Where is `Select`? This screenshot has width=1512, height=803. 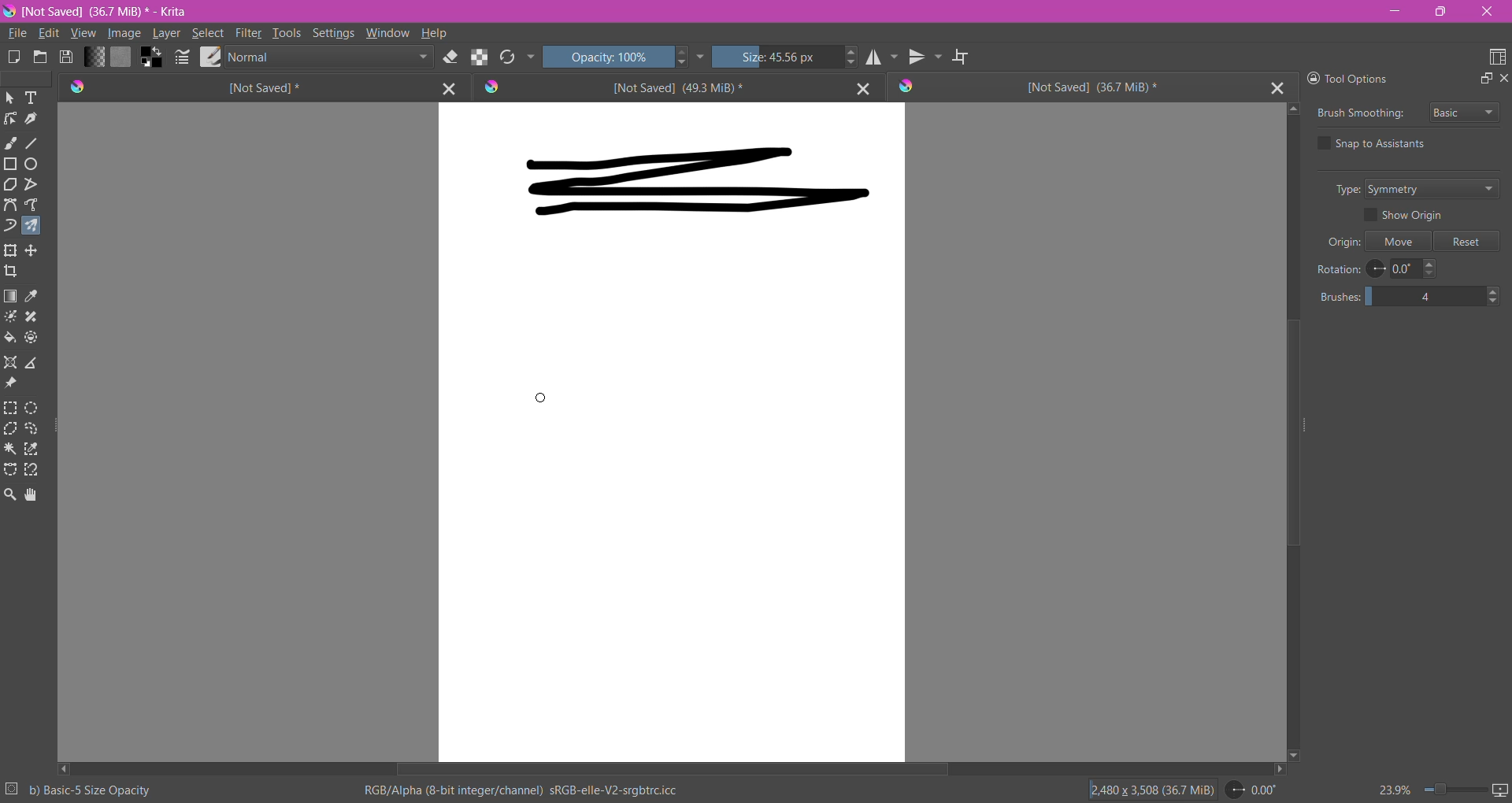 Select is located at coordinates (207, 33).